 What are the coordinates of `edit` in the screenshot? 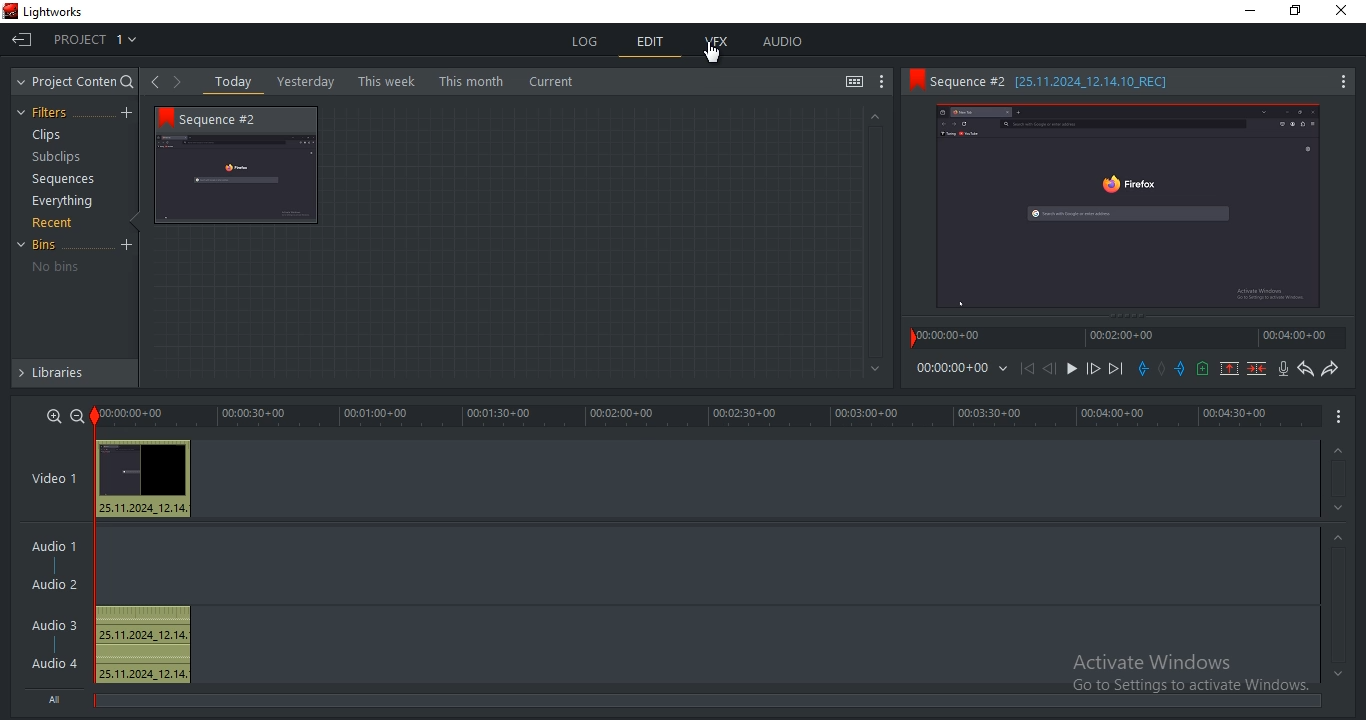 It's located at (653, 42).